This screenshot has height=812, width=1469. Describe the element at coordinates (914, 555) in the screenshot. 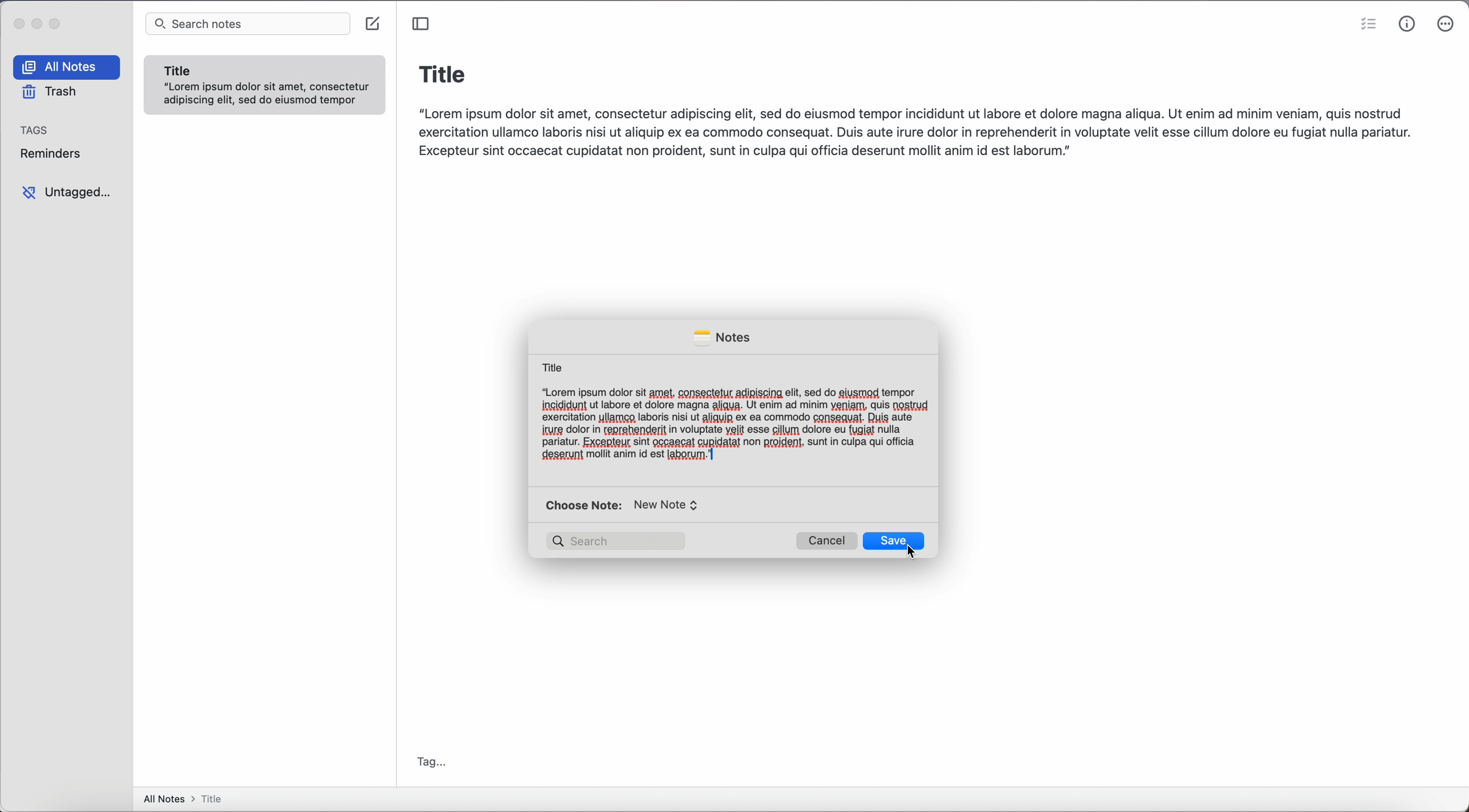

I see `cursor` at that location.